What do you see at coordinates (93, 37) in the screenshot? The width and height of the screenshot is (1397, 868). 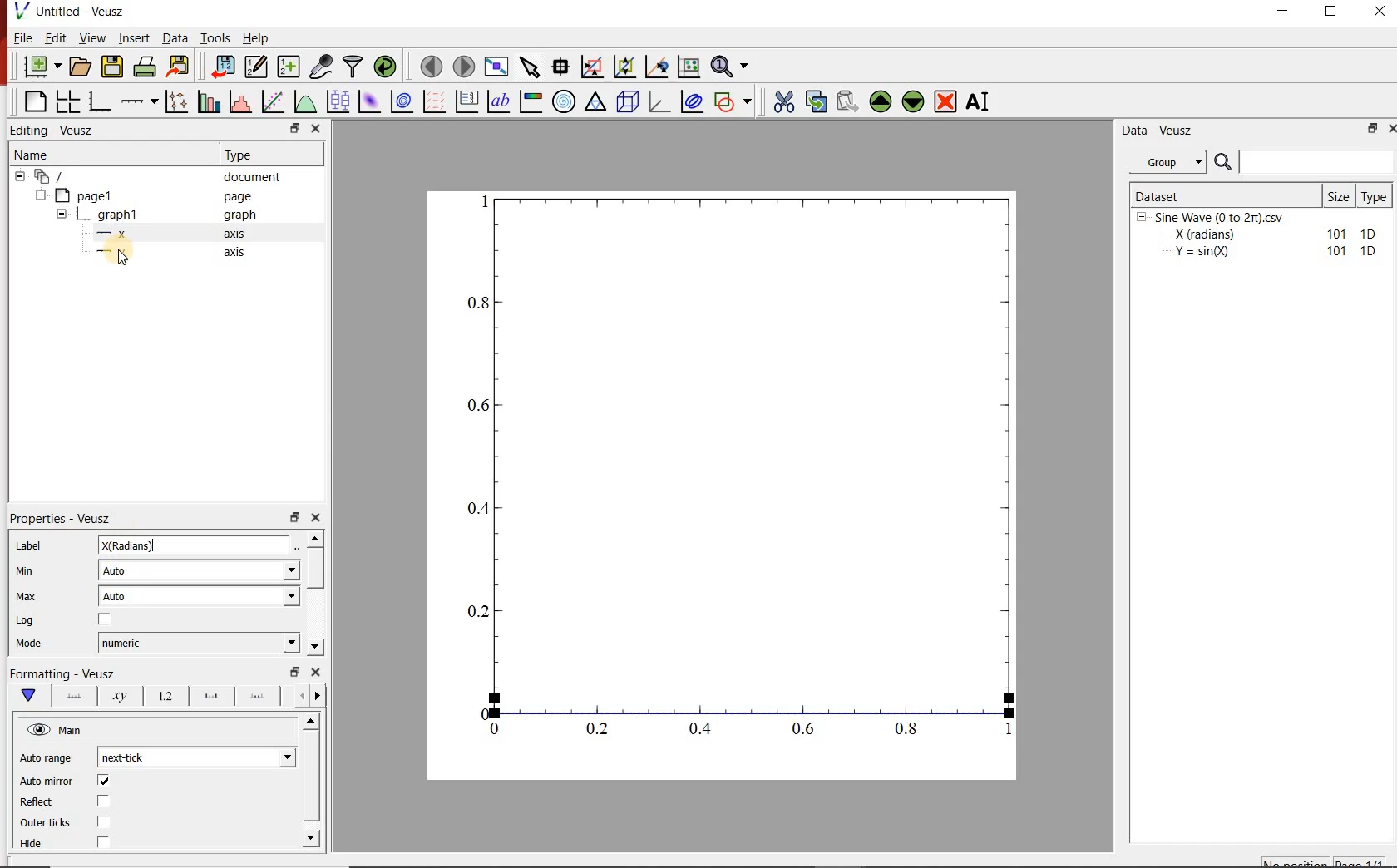 I see `View` at bounding box center [93, 37].